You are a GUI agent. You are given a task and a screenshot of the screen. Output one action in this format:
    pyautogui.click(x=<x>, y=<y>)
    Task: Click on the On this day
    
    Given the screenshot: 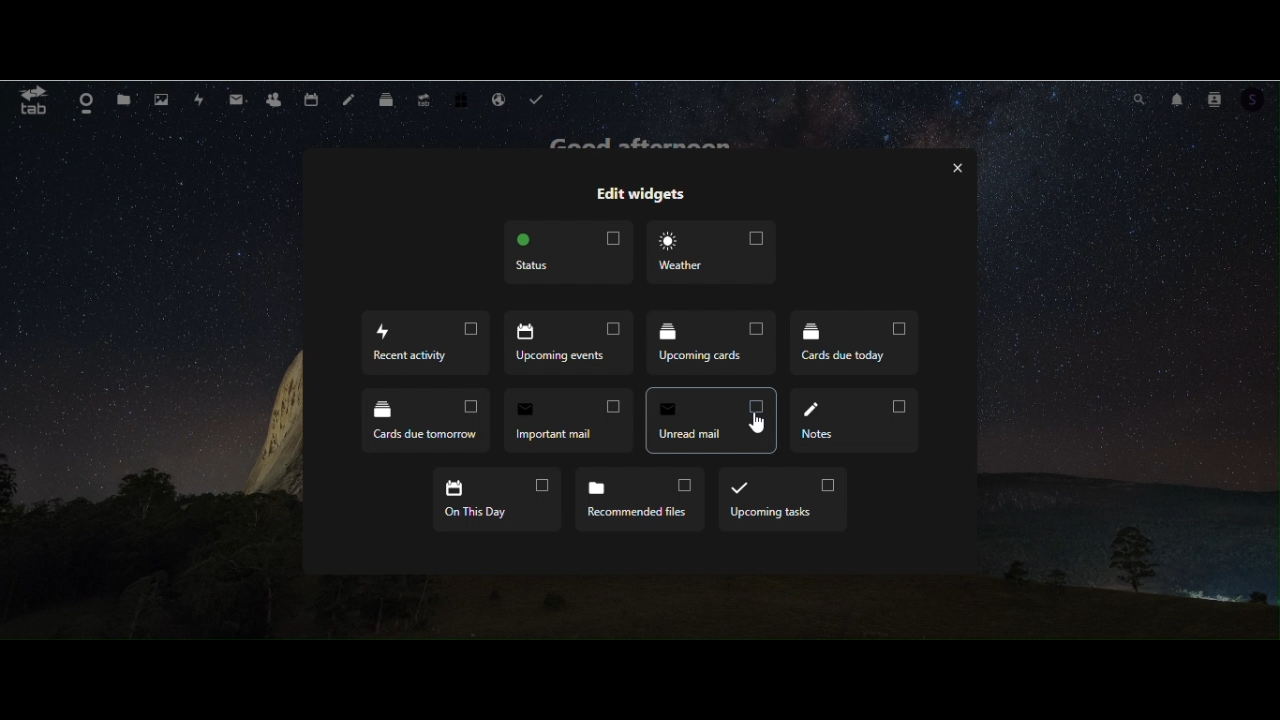 What is the action you would take?
    pyautogui.click(x=499, y=503)
    